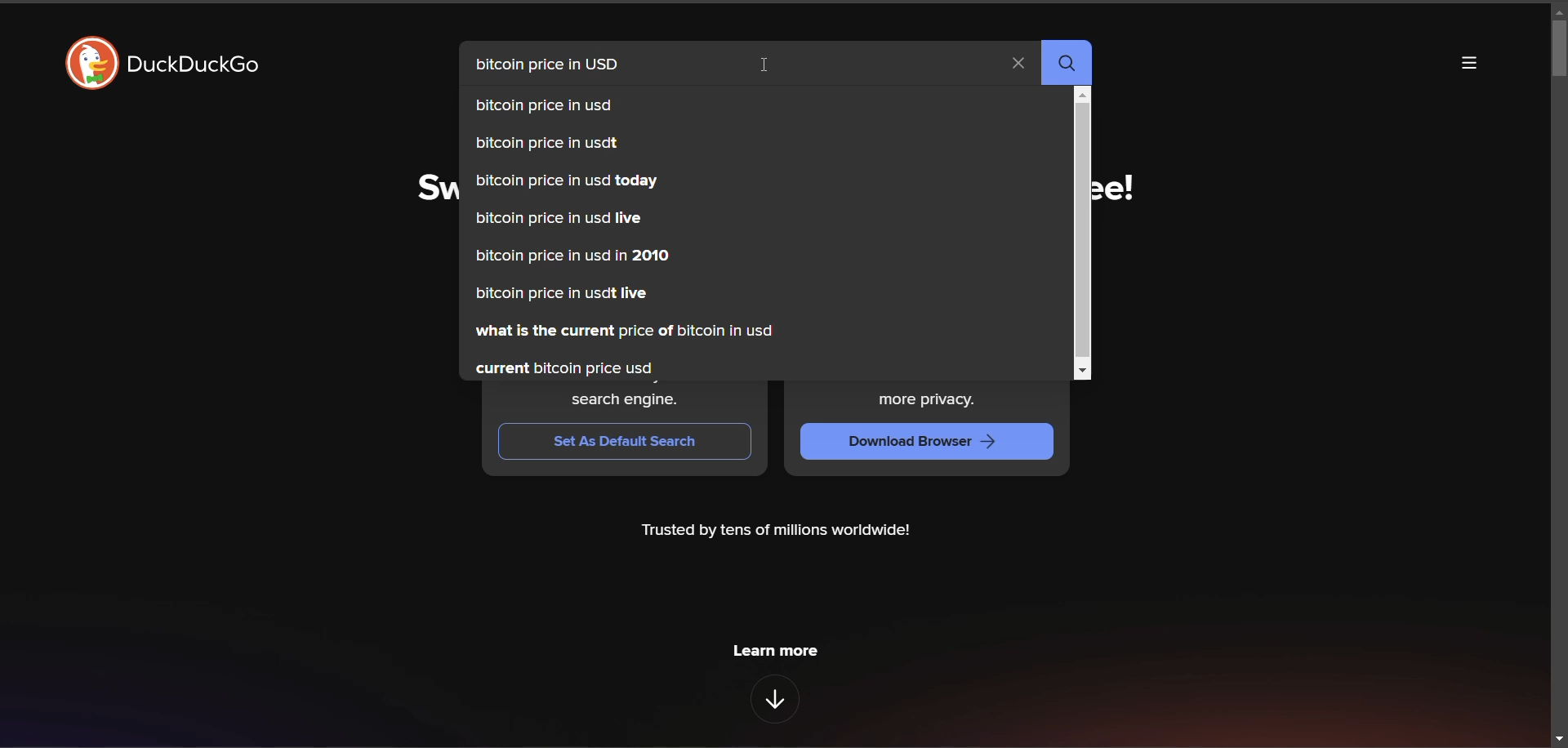 The height and width of the screenshot is (748, 1568). What do you see at coordinates (1085, 236) in the screenshot?
I see `vertical scroll bar` at bounding box center [1085, 236].